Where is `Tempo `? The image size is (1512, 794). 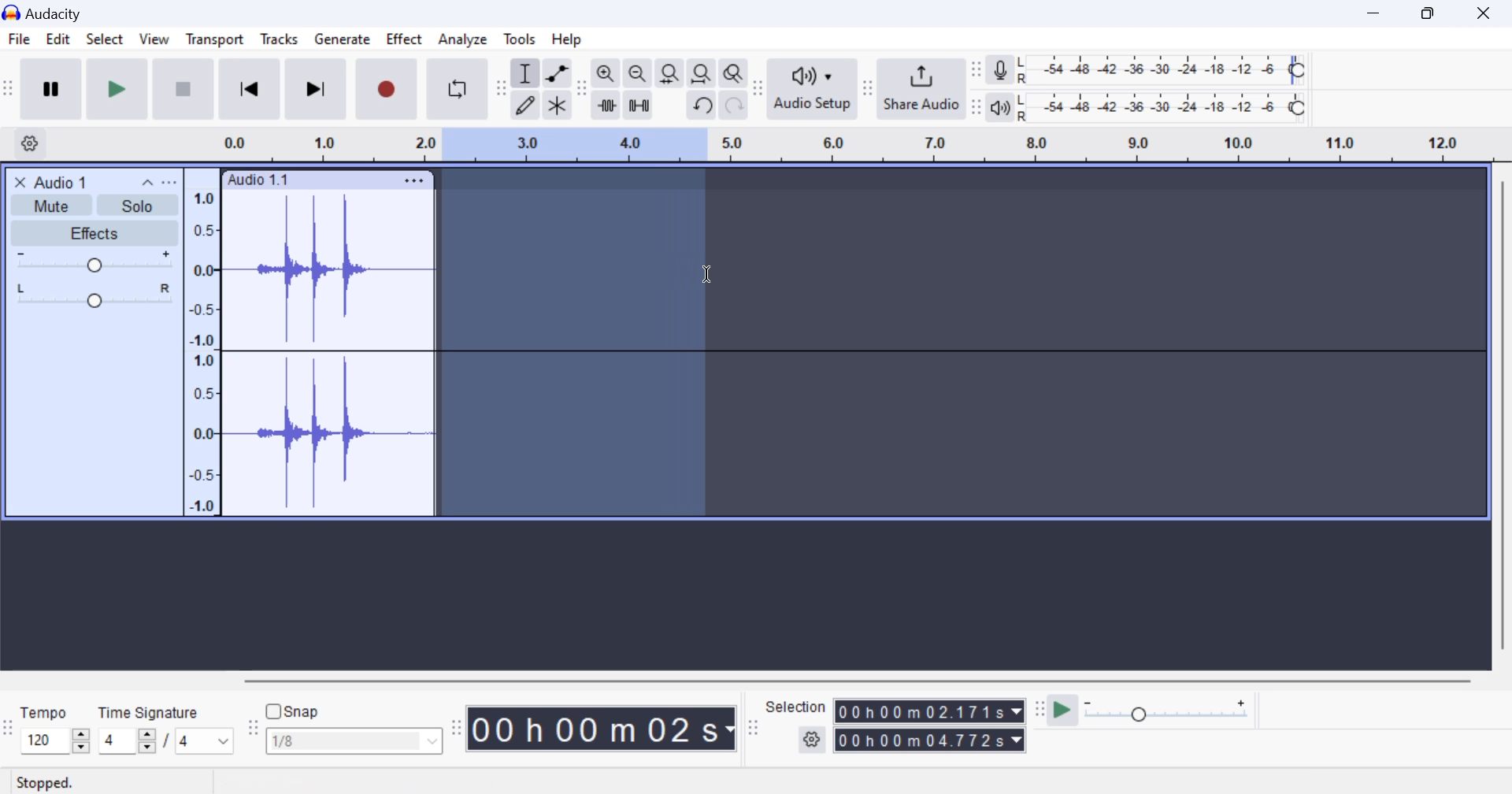
Tempo  is located at coordinates (45, 711).